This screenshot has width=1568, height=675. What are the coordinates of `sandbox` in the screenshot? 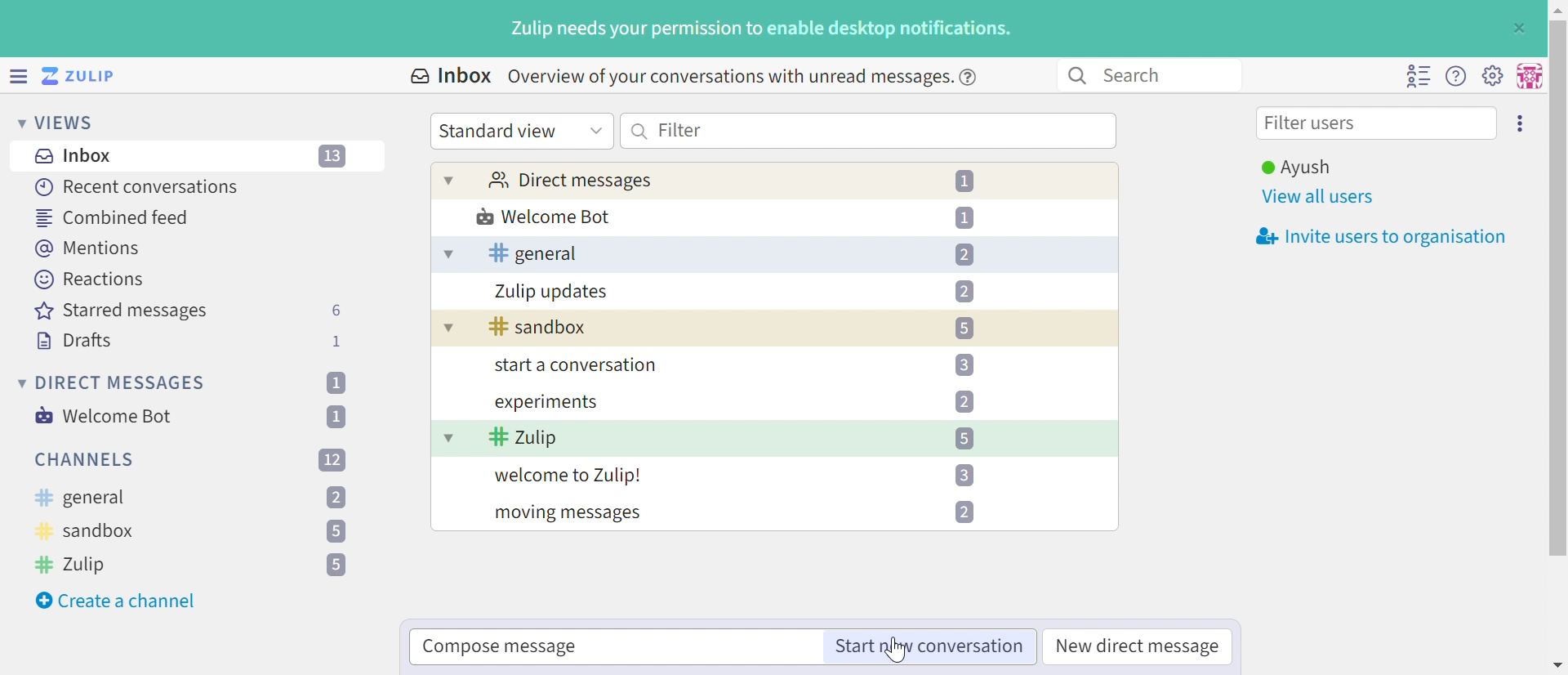 It's located at (538, 328).